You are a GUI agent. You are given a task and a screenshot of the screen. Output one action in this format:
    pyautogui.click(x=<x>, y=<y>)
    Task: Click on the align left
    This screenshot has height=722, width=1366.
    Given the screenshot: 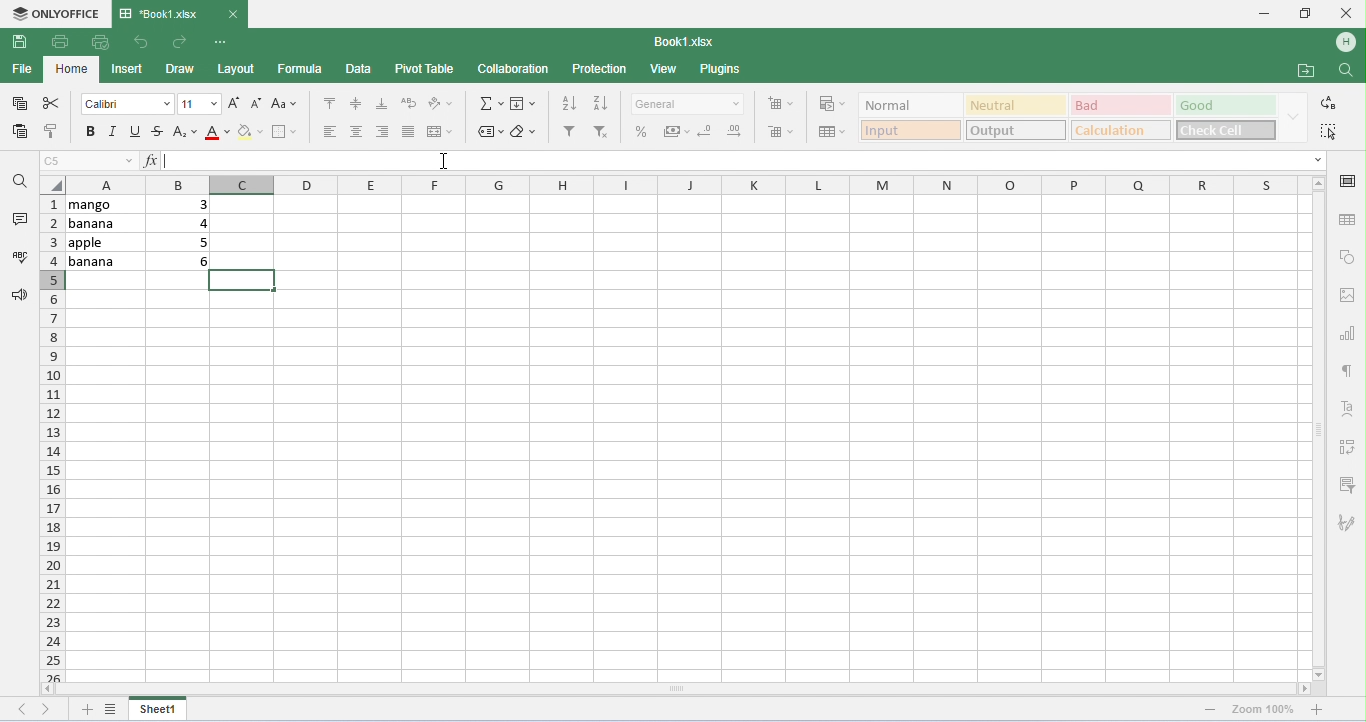 What is the action you would take?
    pyautogui.click(x=382, y=133)
    